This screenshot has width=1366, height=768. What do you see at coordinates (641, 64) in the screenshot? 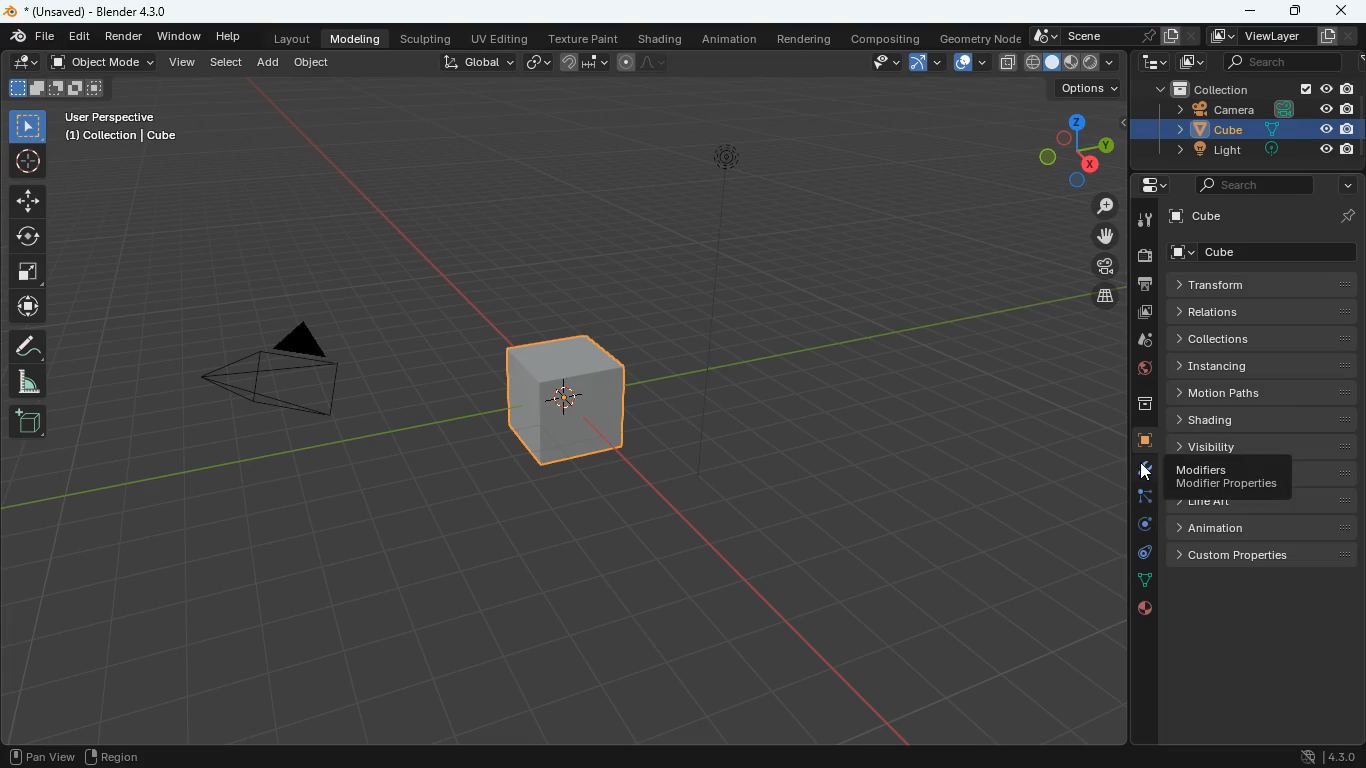
I see `line` at bounding box center [641, 64].